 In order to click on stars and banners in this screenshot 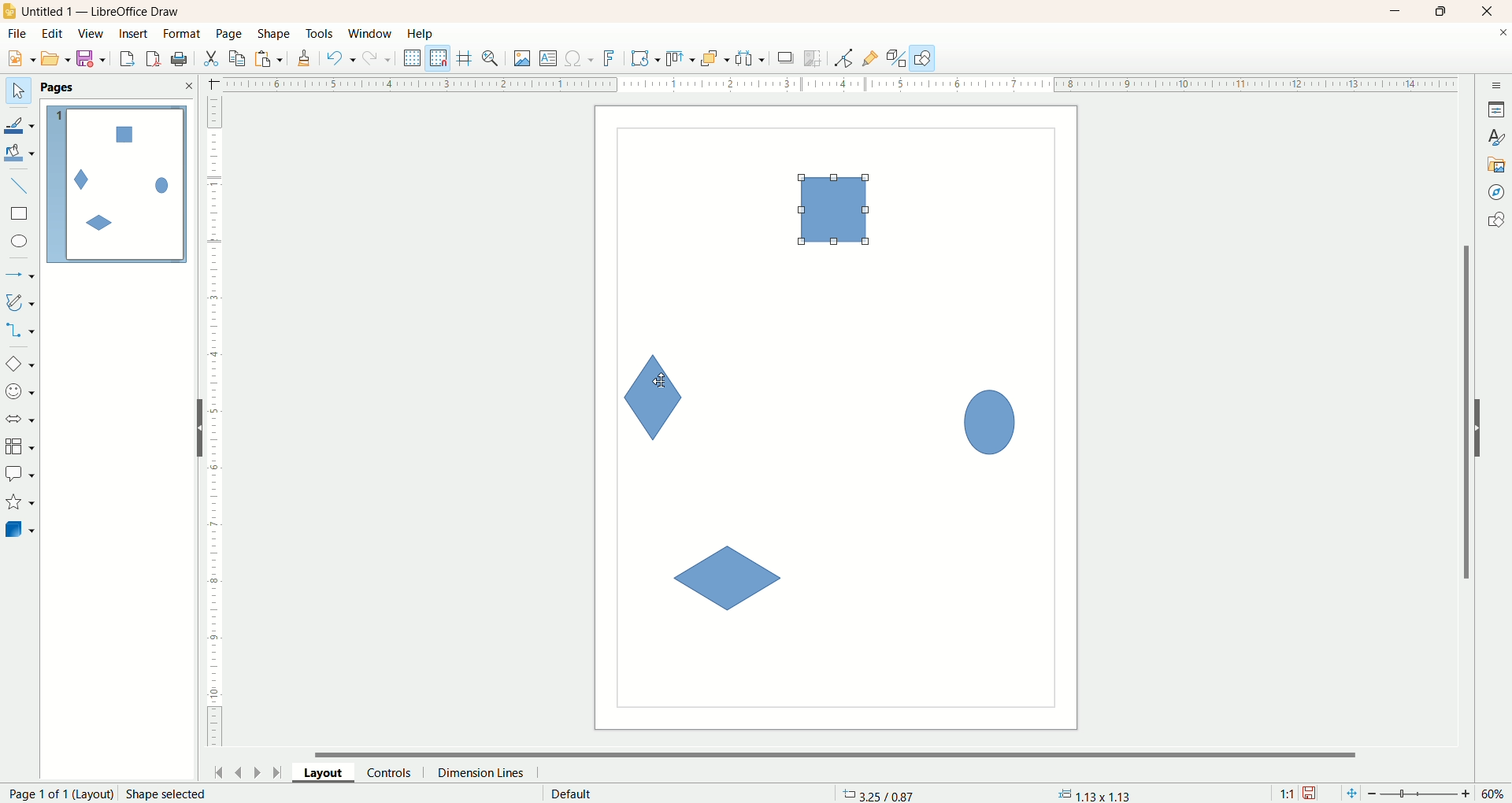, I will do `click(19, 501)`.